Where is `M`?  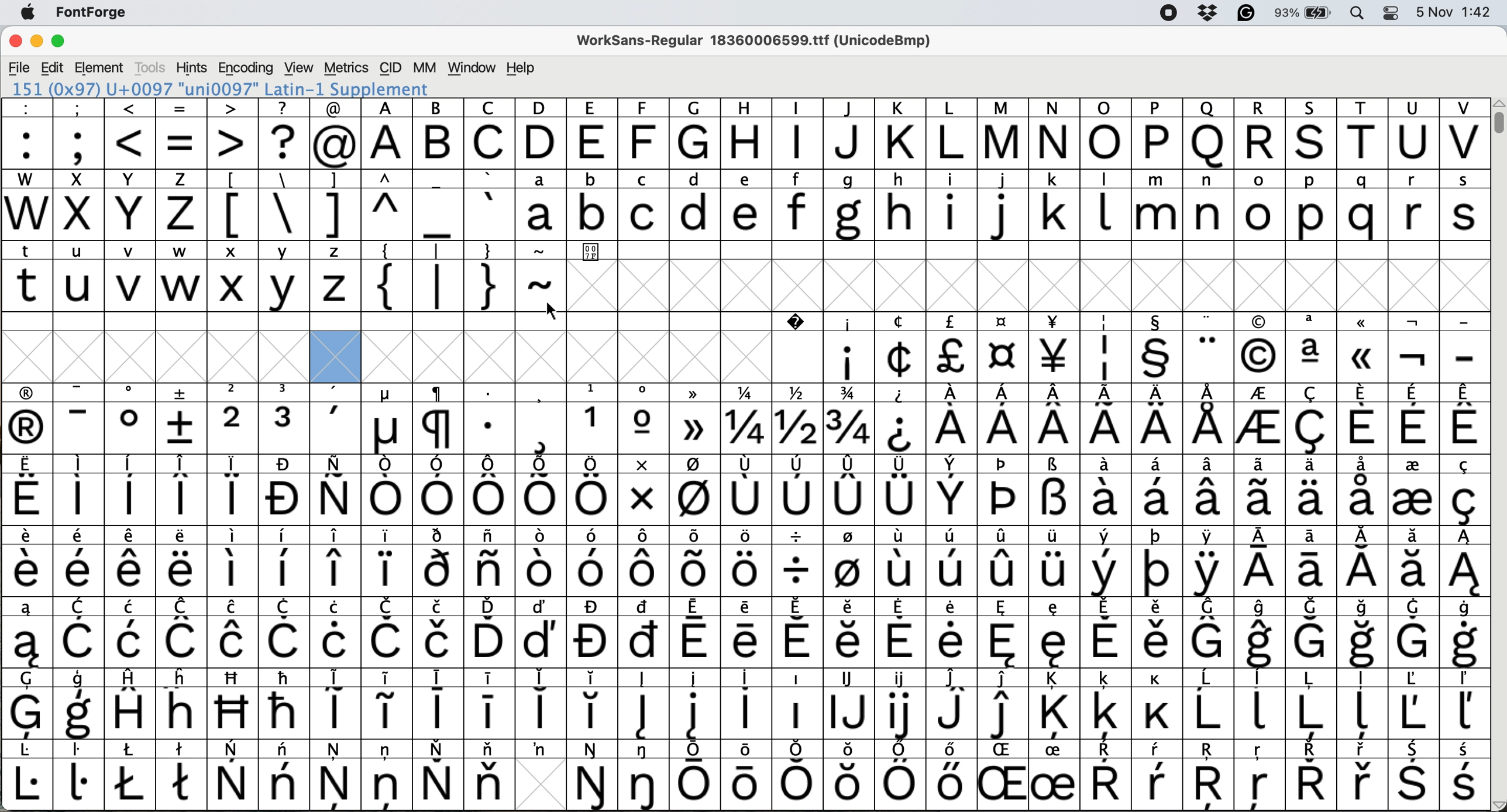 M is located at coordinates (1002, 133).